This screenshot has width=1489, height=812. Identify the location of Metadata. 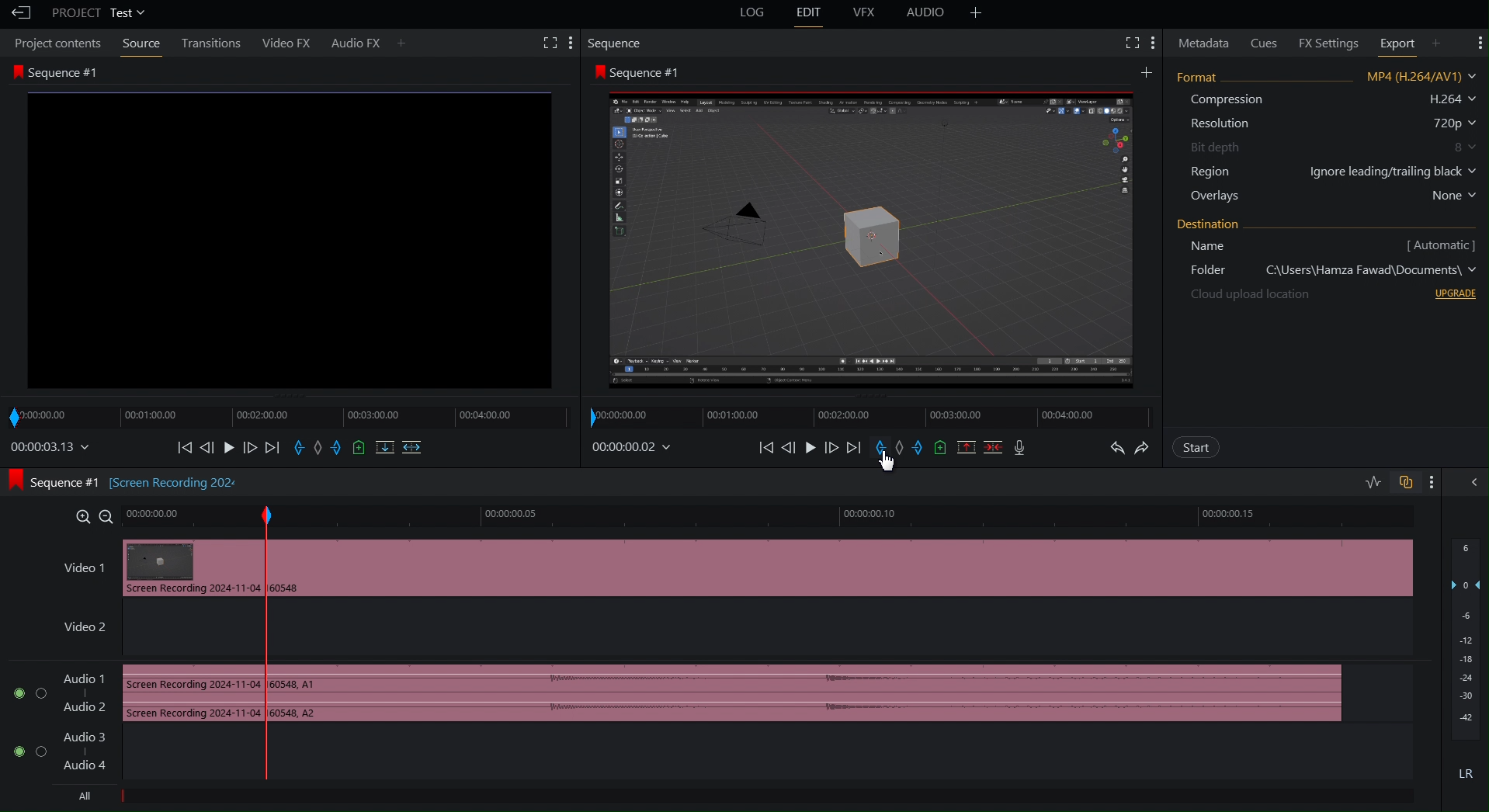
(1203, 42).